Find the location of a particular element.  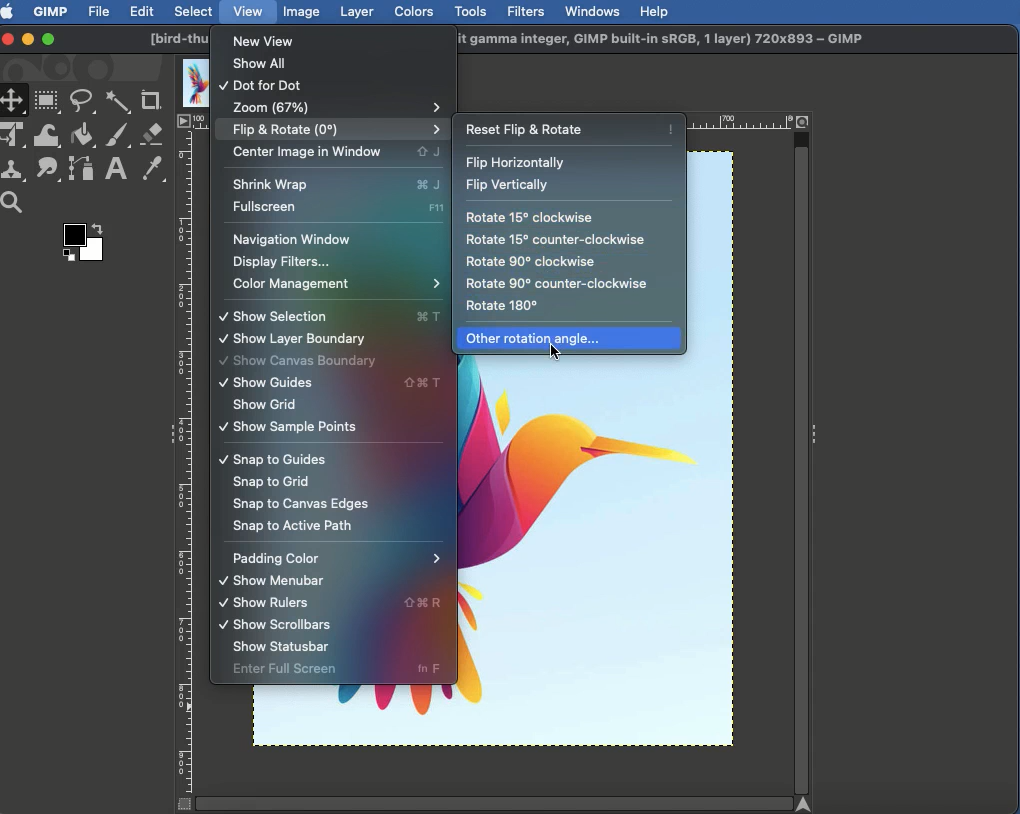

Rotate 15 counter-clockwise is located at coordinates (553, 283).